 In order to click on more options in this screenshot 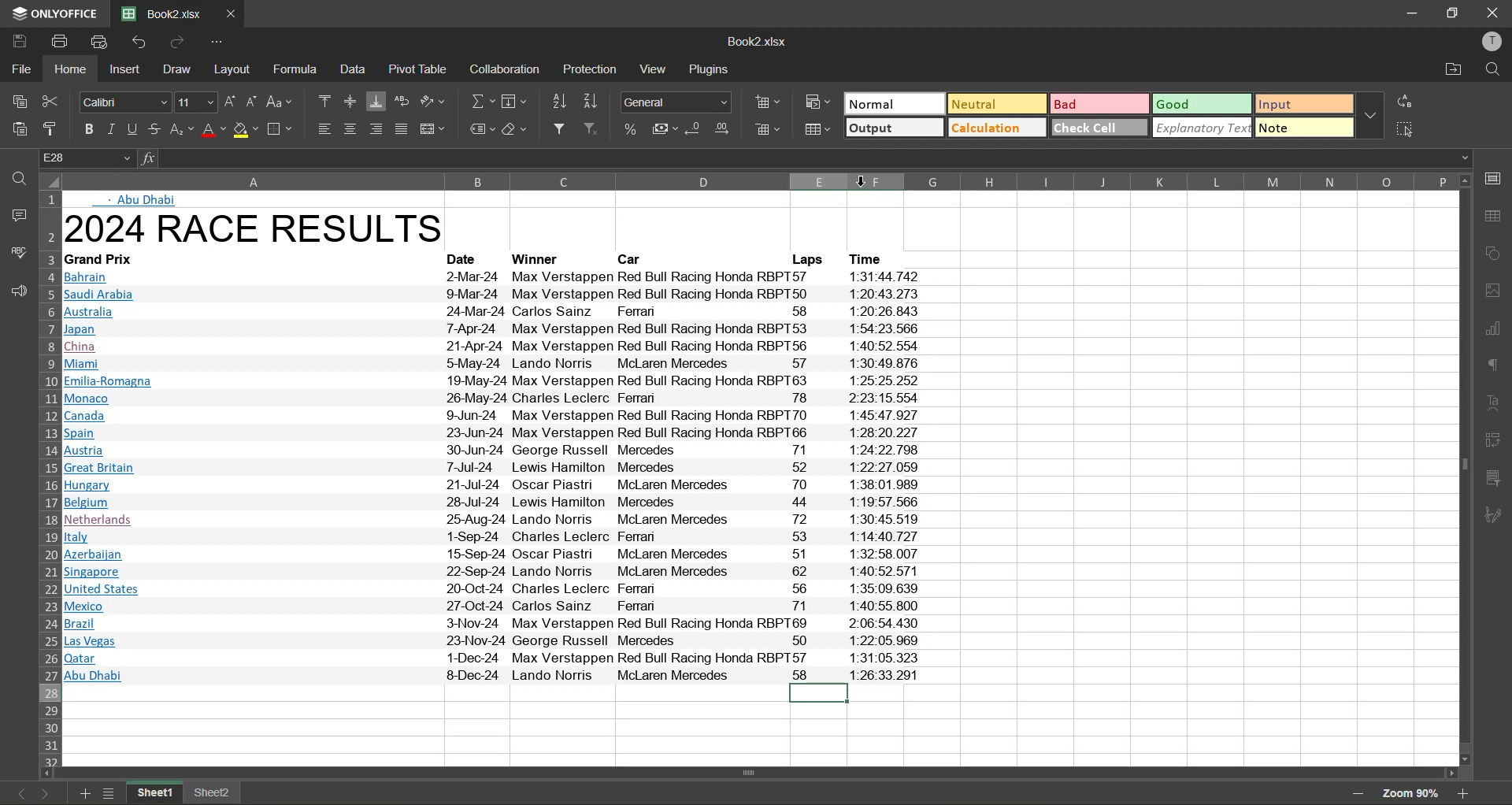, I will do `click(1371, 117)`.